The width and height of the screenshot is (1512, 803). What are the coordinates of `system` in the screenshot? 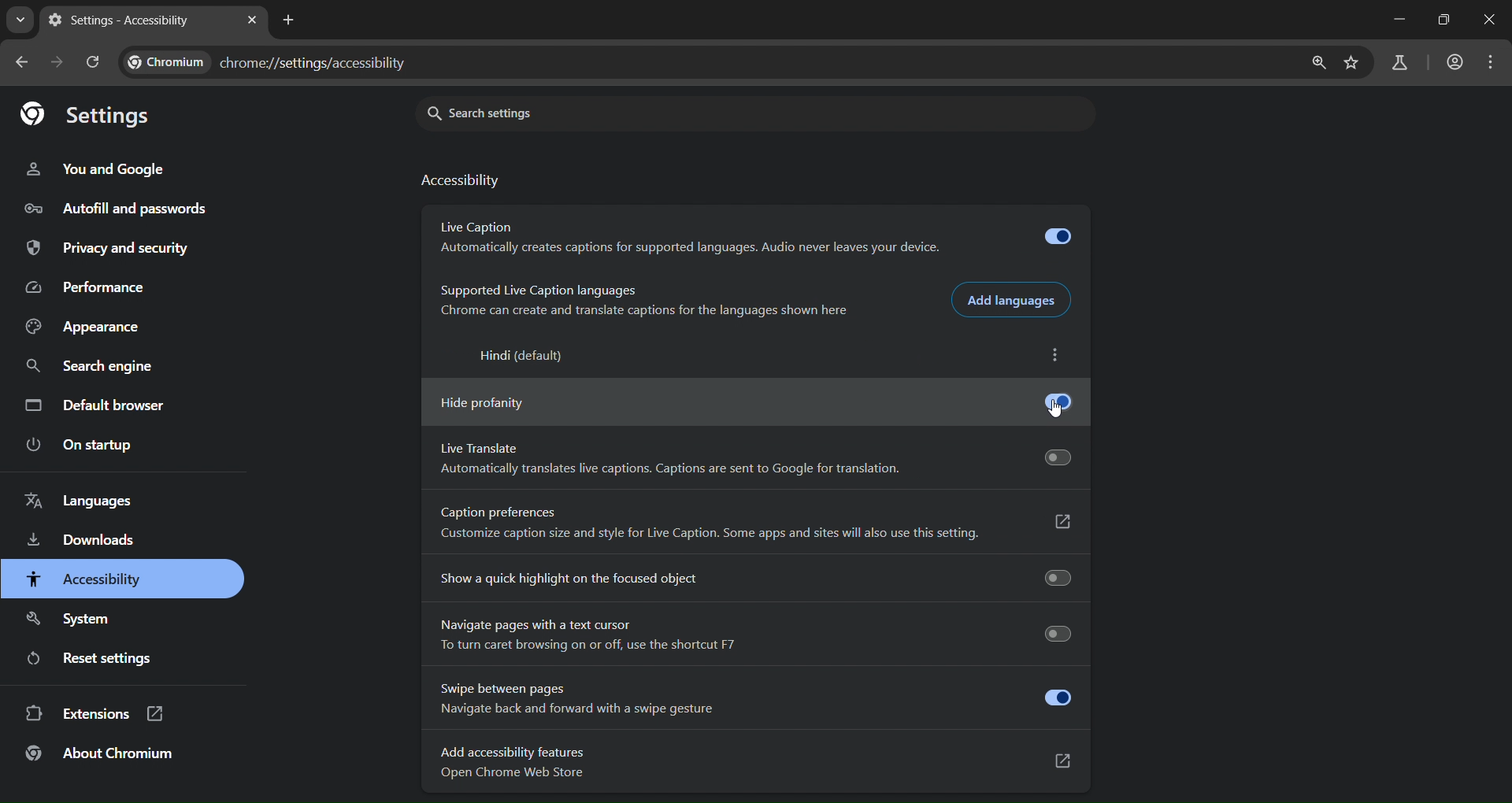 It's located at (72, 616).